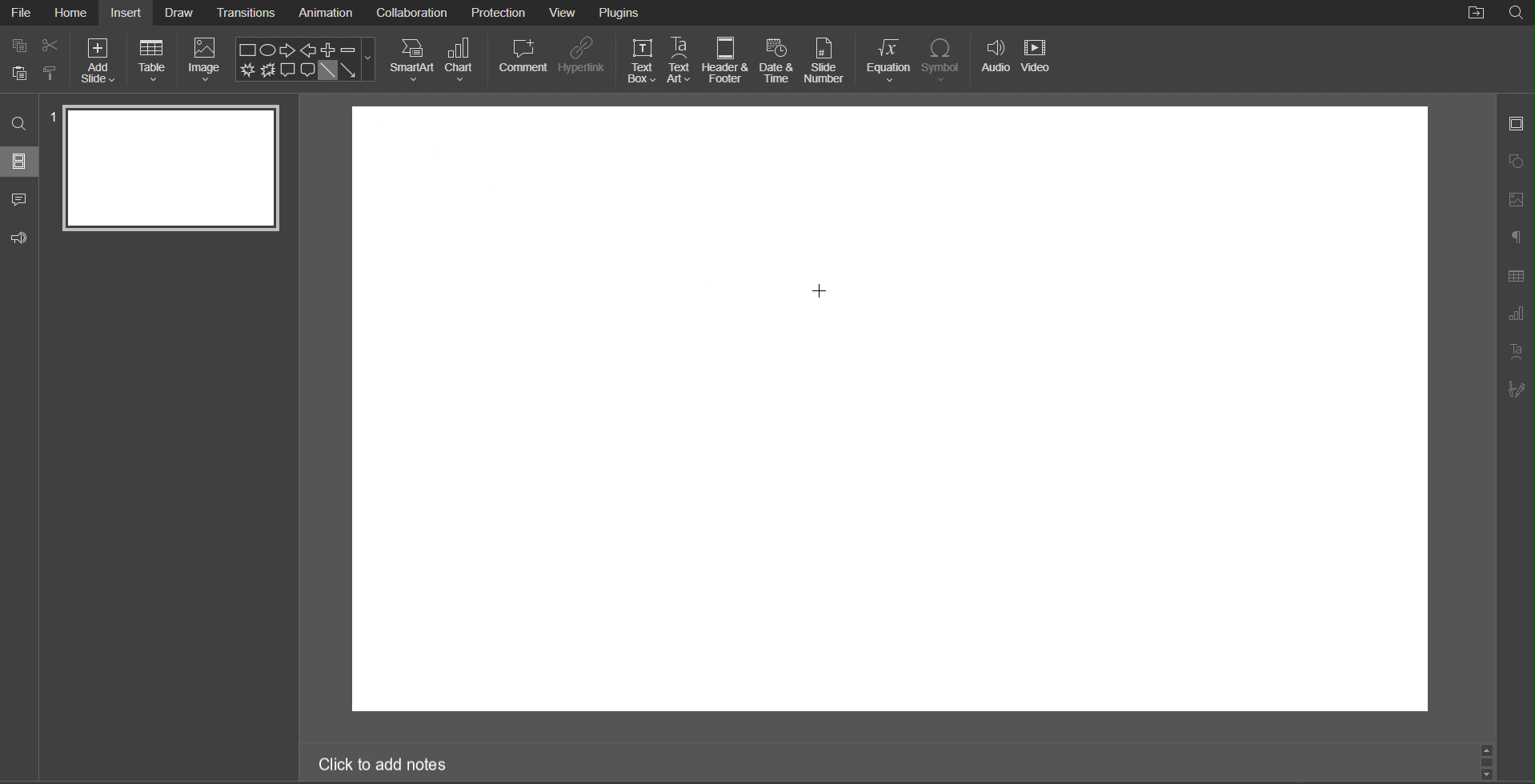 This screenshot has height=784, width=1535. Describe the element at coordinates (1517, 122) in the screenshot. I see `Slide Settings` at that location.